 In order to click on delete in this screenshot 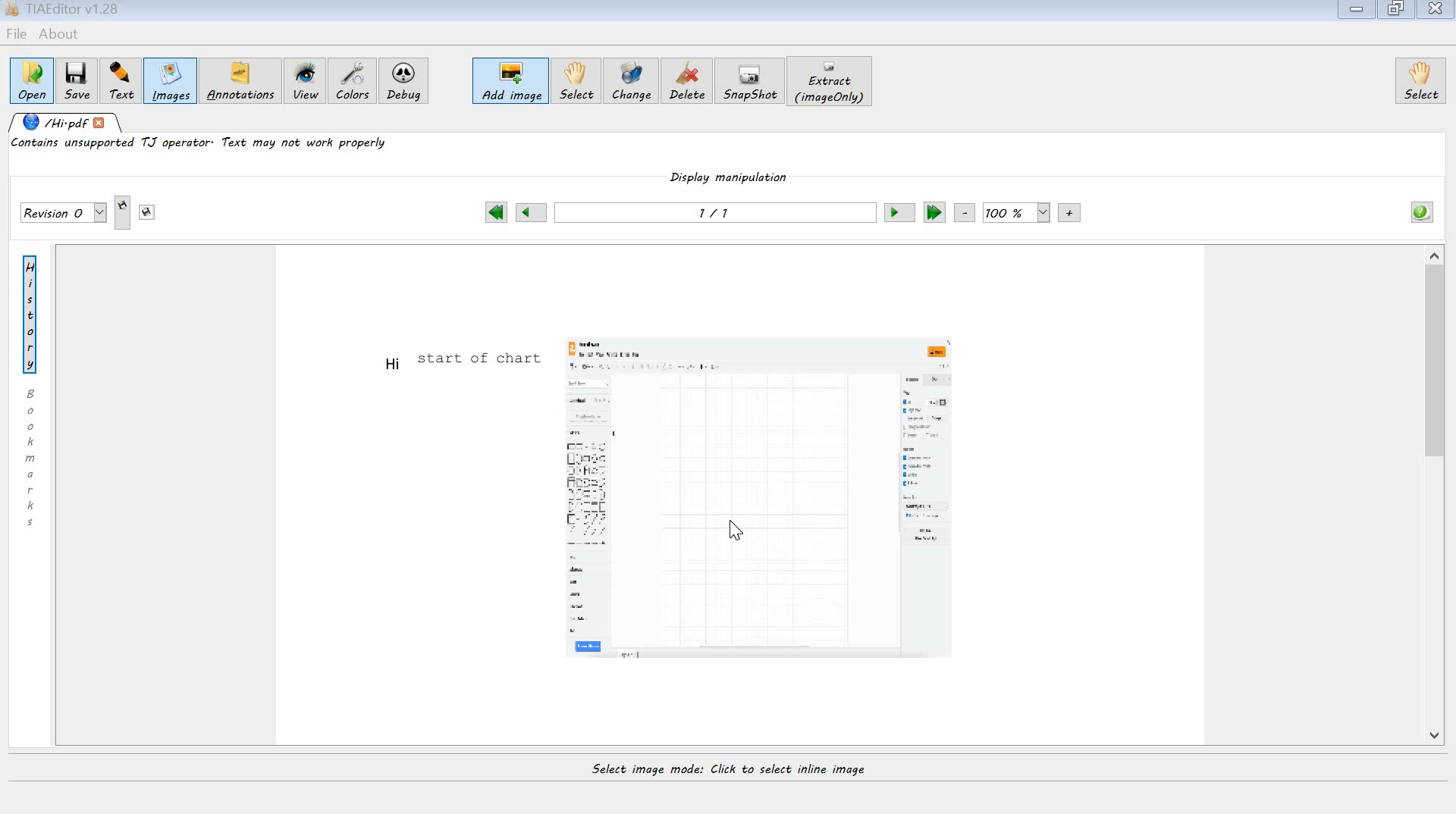, I will do `click(690, 83)`.